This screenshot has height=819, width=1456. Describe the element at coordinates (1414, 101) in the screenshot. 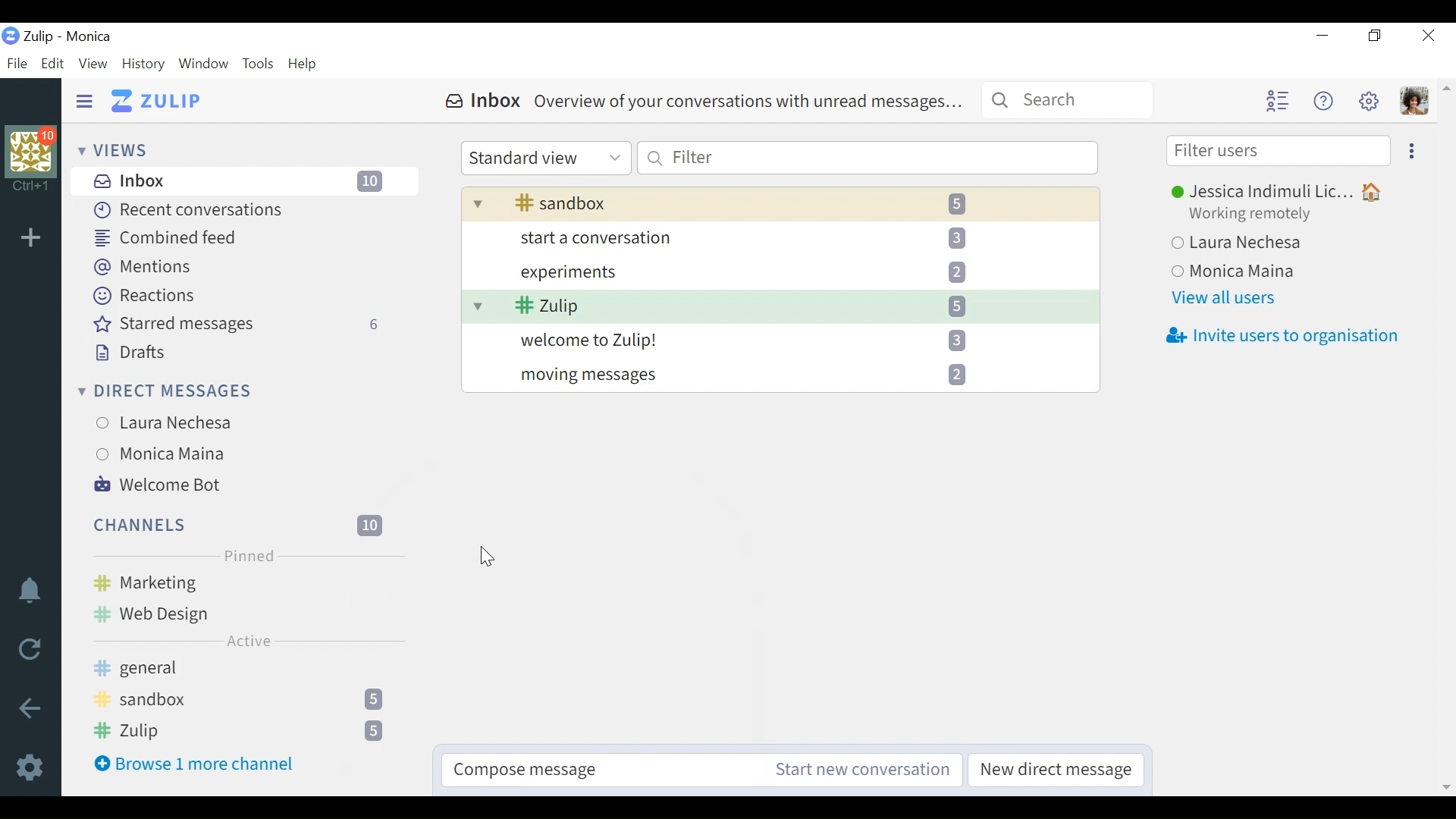

I see `Profile` at that location.